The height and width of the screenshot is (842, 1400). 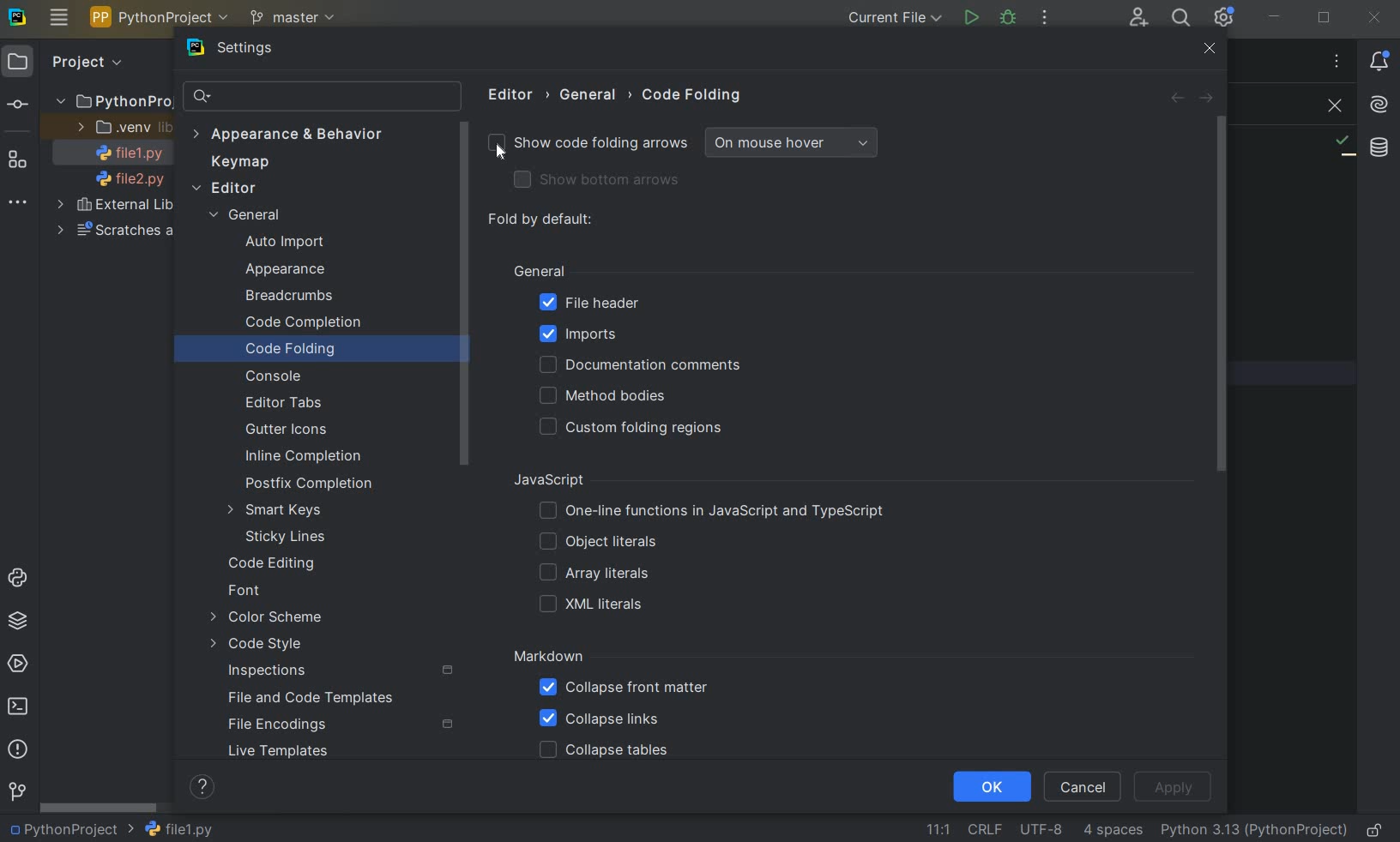 What do you see at coordinates (1325, 20) in the screenshot?
I see `RESTORE DOWN` at bounding box center [1325, 20].